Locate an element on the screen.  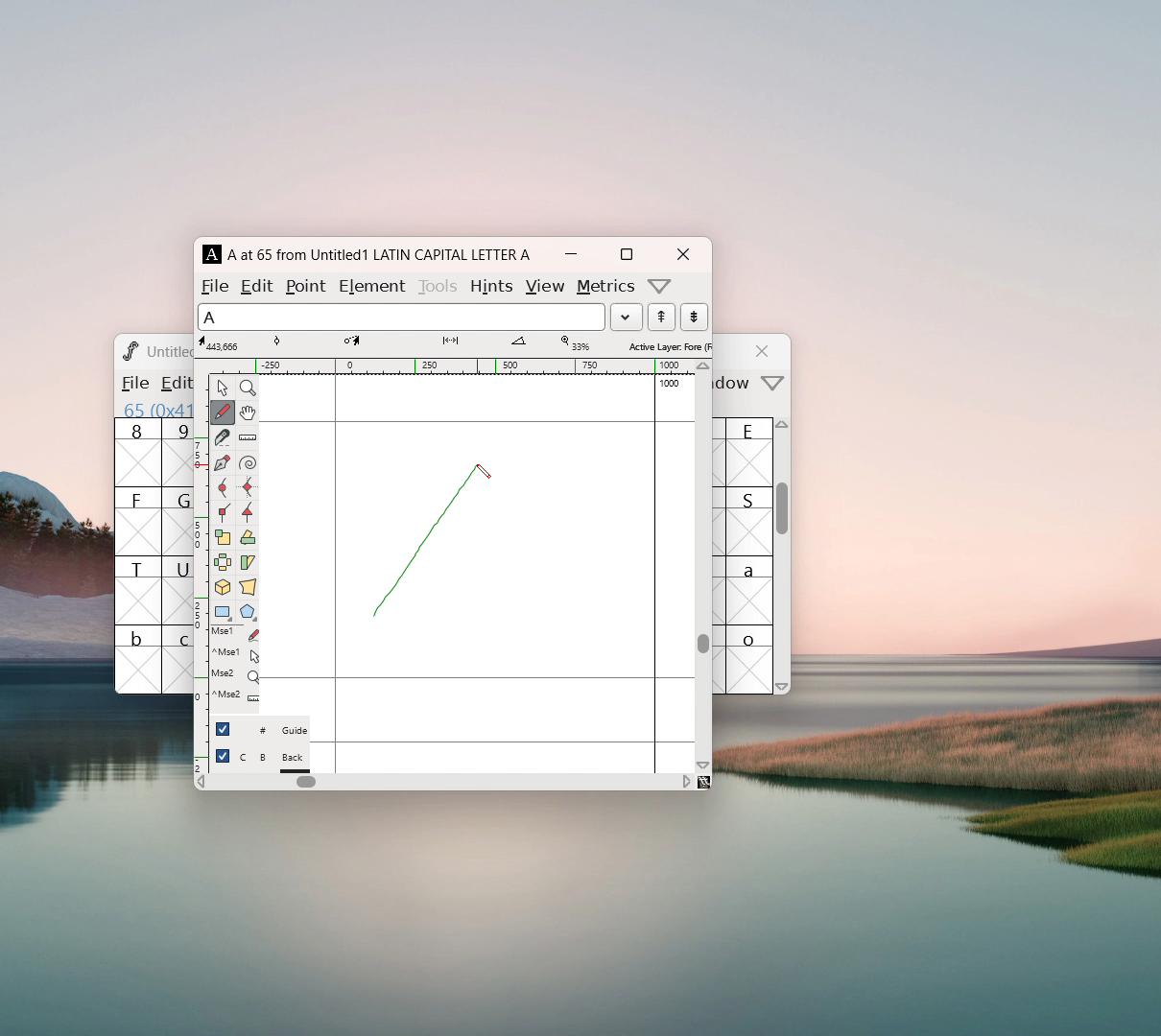
scroll right is located at coordinates (686, 781).